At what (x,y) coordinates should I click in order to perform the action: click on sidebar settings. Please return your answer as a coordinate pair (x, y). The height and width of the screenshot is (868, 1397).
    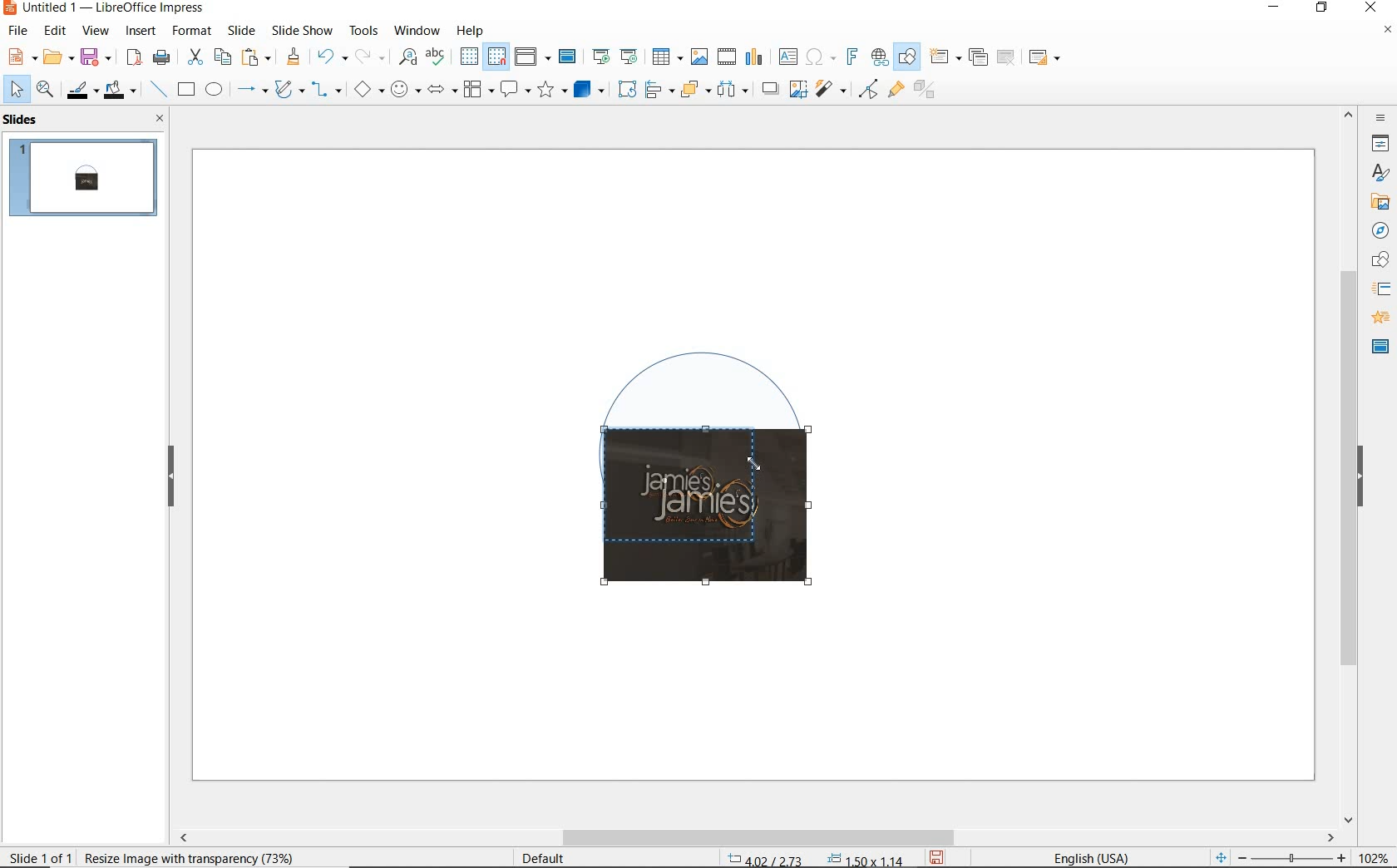
    Looking at the image, I should click on (1379, 118).